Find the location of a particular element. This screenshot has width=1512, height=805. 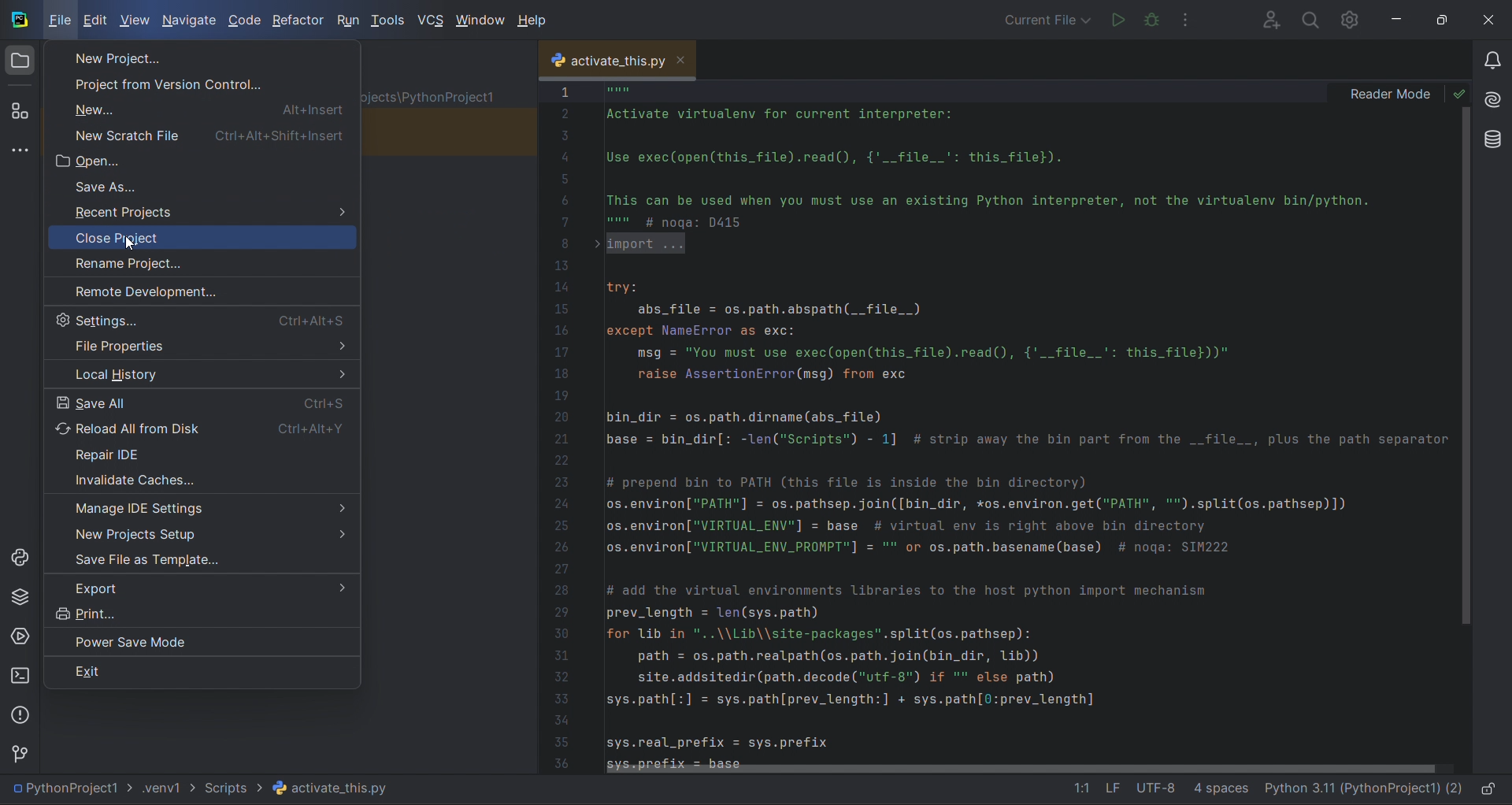

project window is located at coordinates (22, 64).